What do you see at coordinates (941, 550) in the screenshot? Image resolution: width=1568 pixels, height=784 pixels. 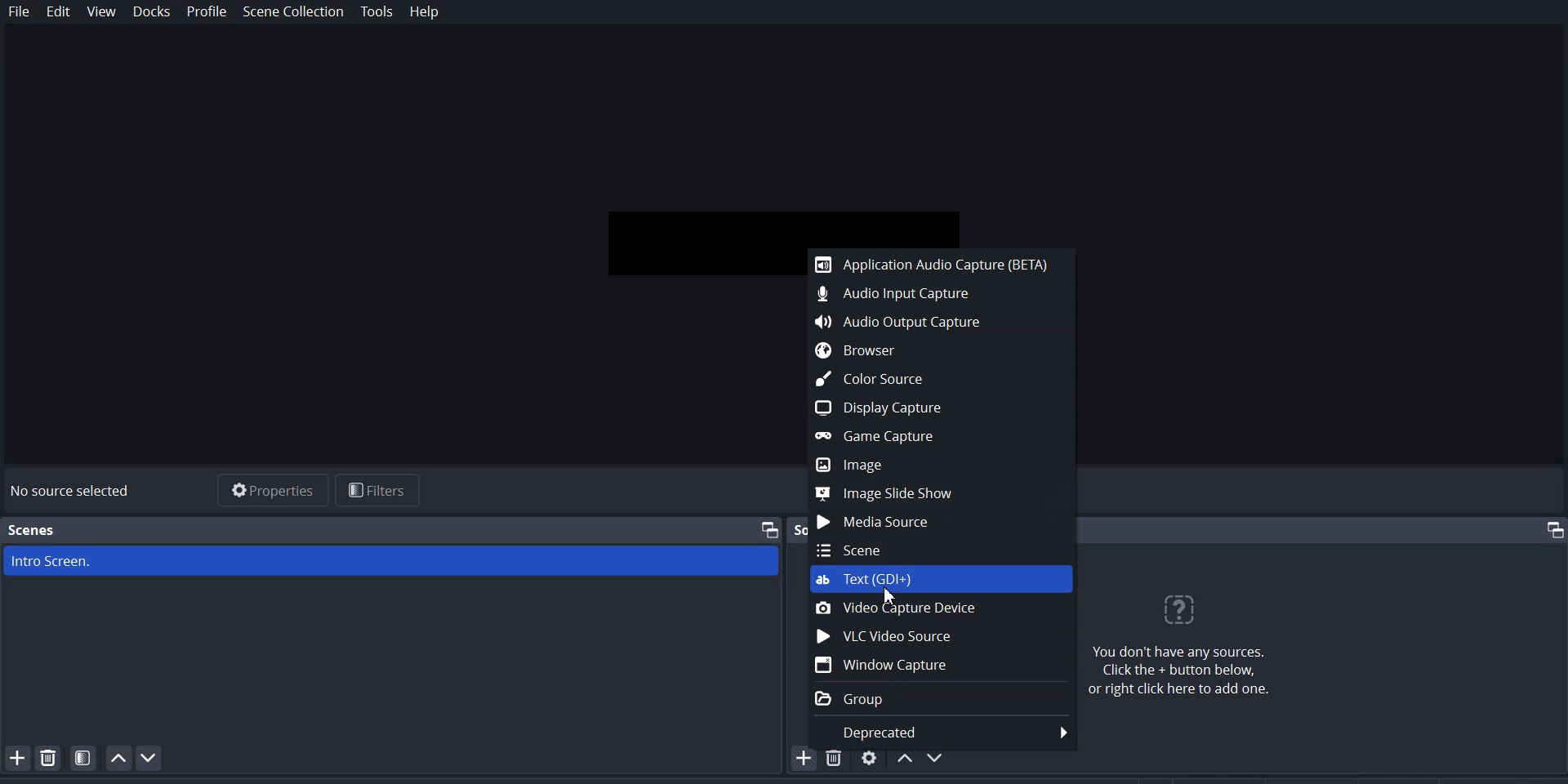 I see `Scene` at bounding box center [941, 550].